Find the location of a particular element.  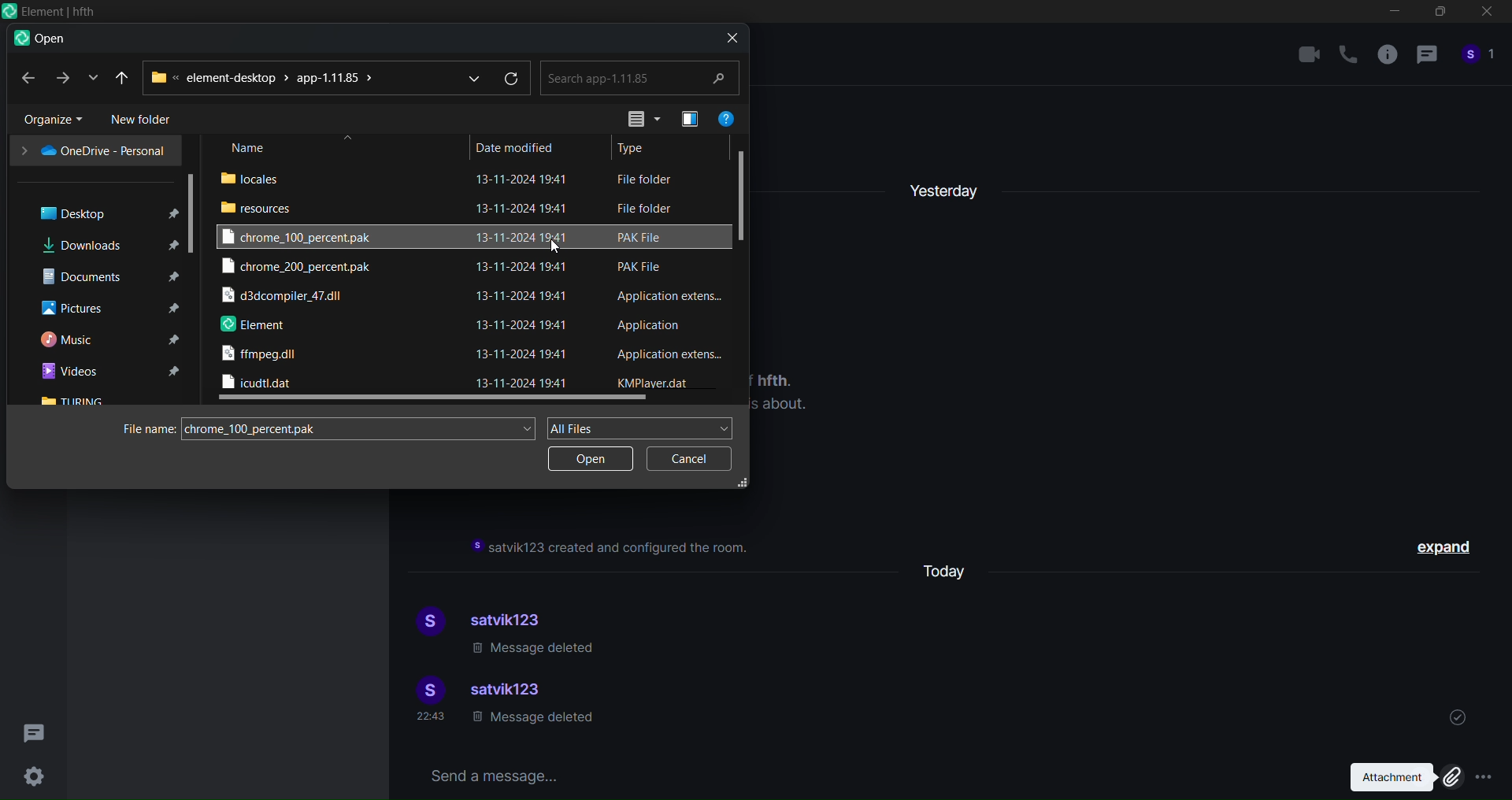

organize is located at coordinates (46, 119).